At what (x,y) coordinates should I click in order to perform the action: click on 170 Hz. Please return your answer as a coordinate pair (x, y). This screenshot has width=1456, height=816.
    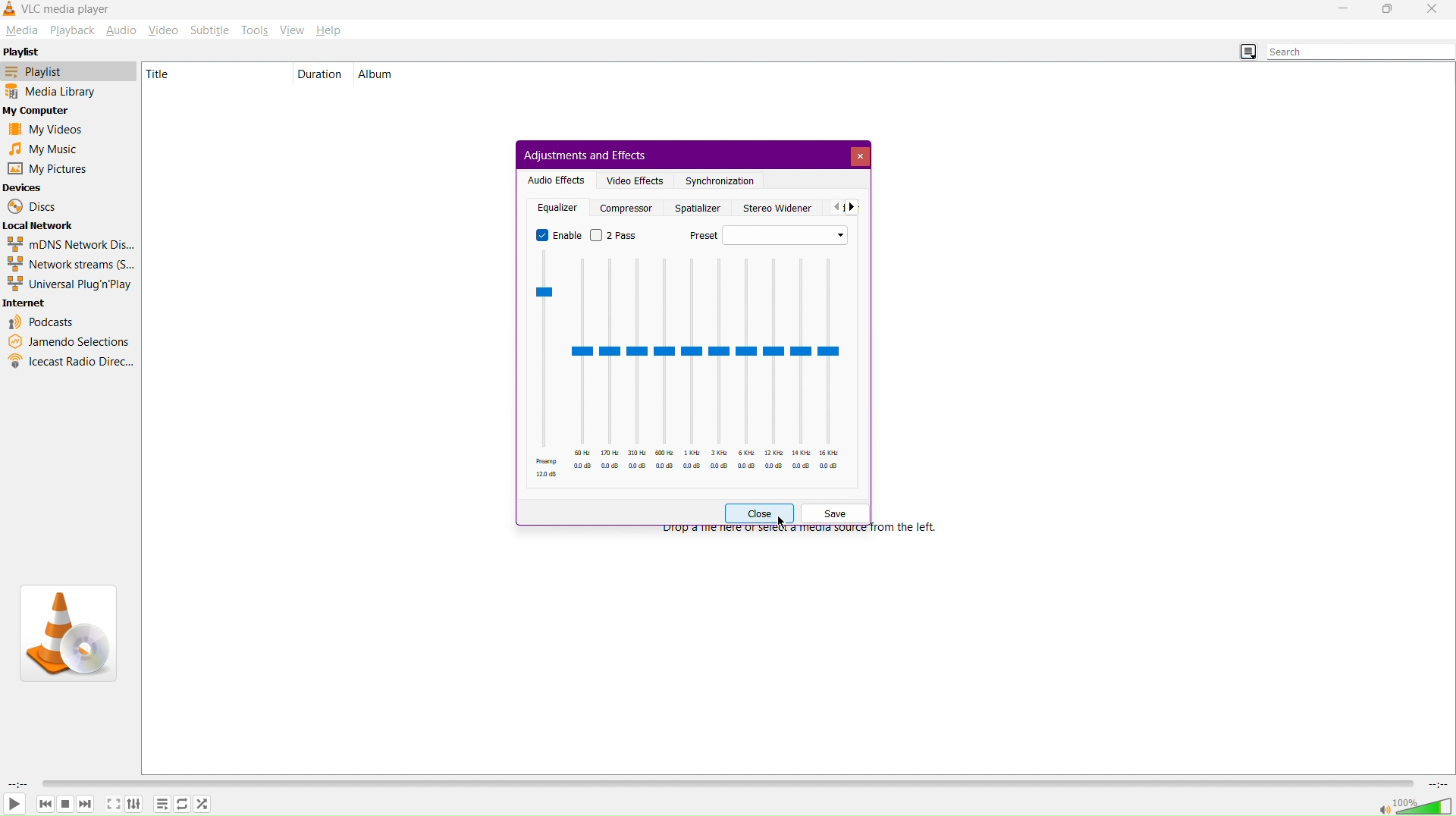
    Looking at the image, I should click on (609, 363).